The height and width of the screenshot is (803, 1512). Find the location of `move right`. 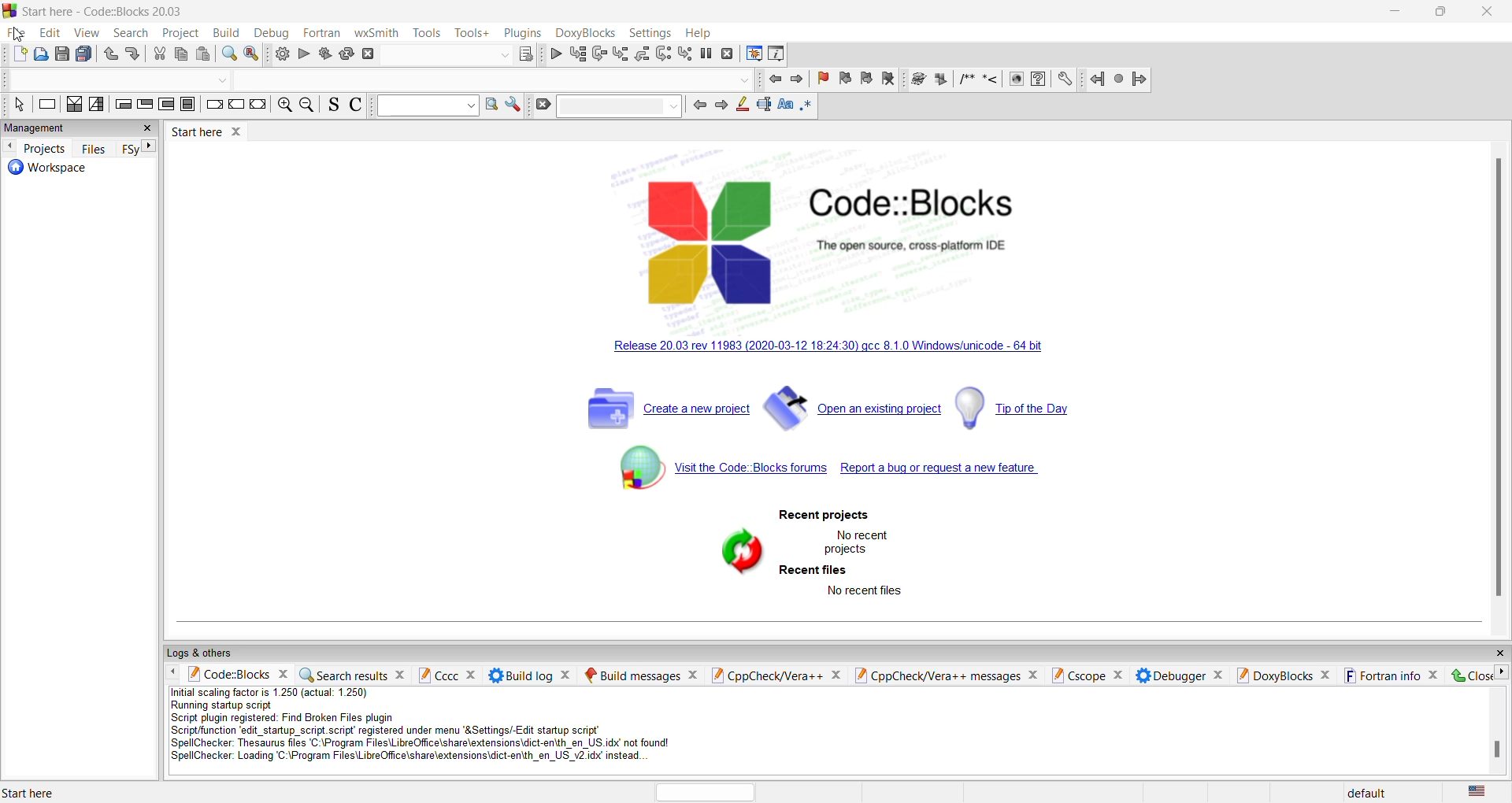

move right is located at coordinates (150, 146).